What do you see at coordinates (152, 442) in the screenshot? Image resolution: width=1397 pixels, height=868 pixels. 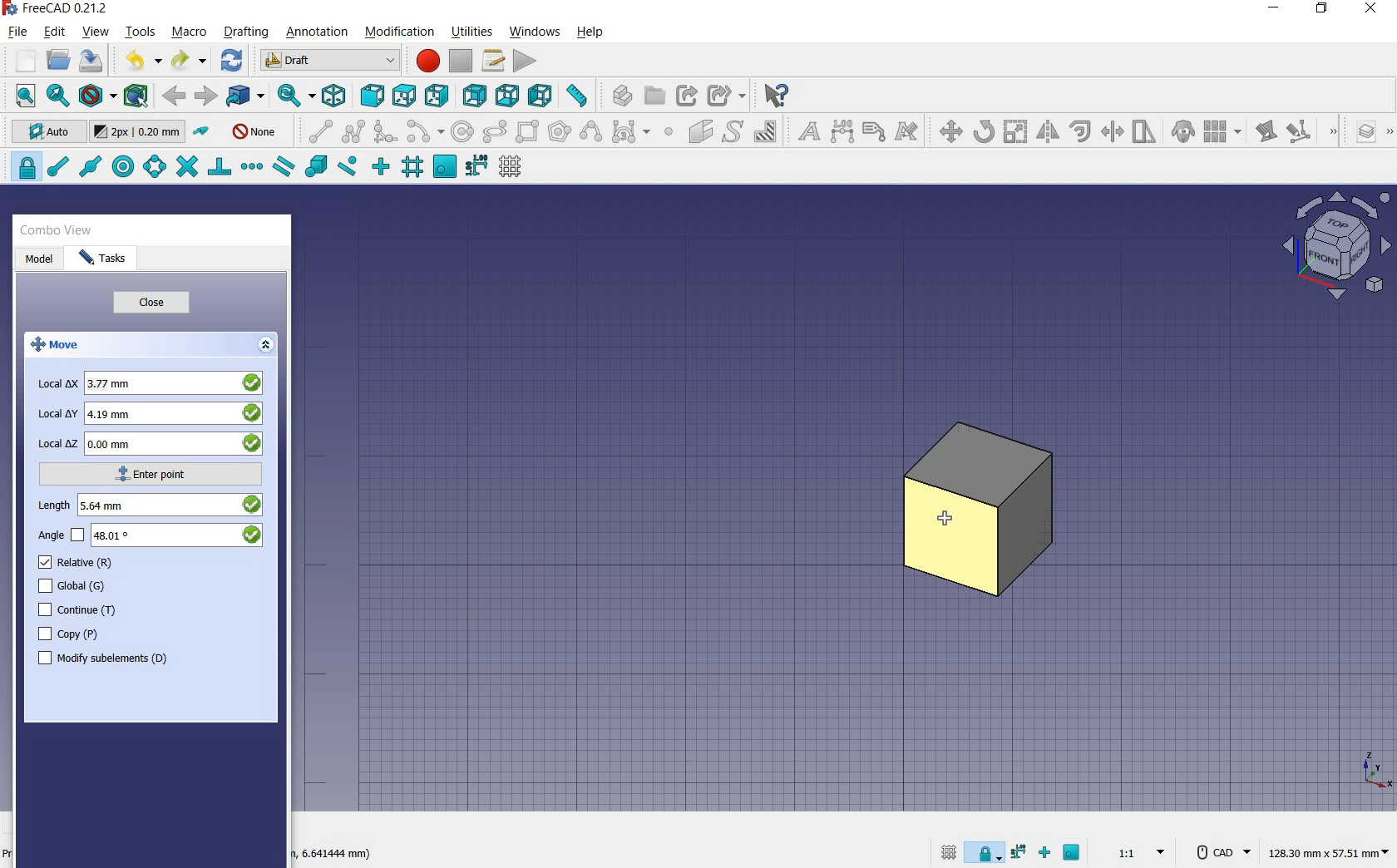 I see `local z` at bounding box center [152, 442].